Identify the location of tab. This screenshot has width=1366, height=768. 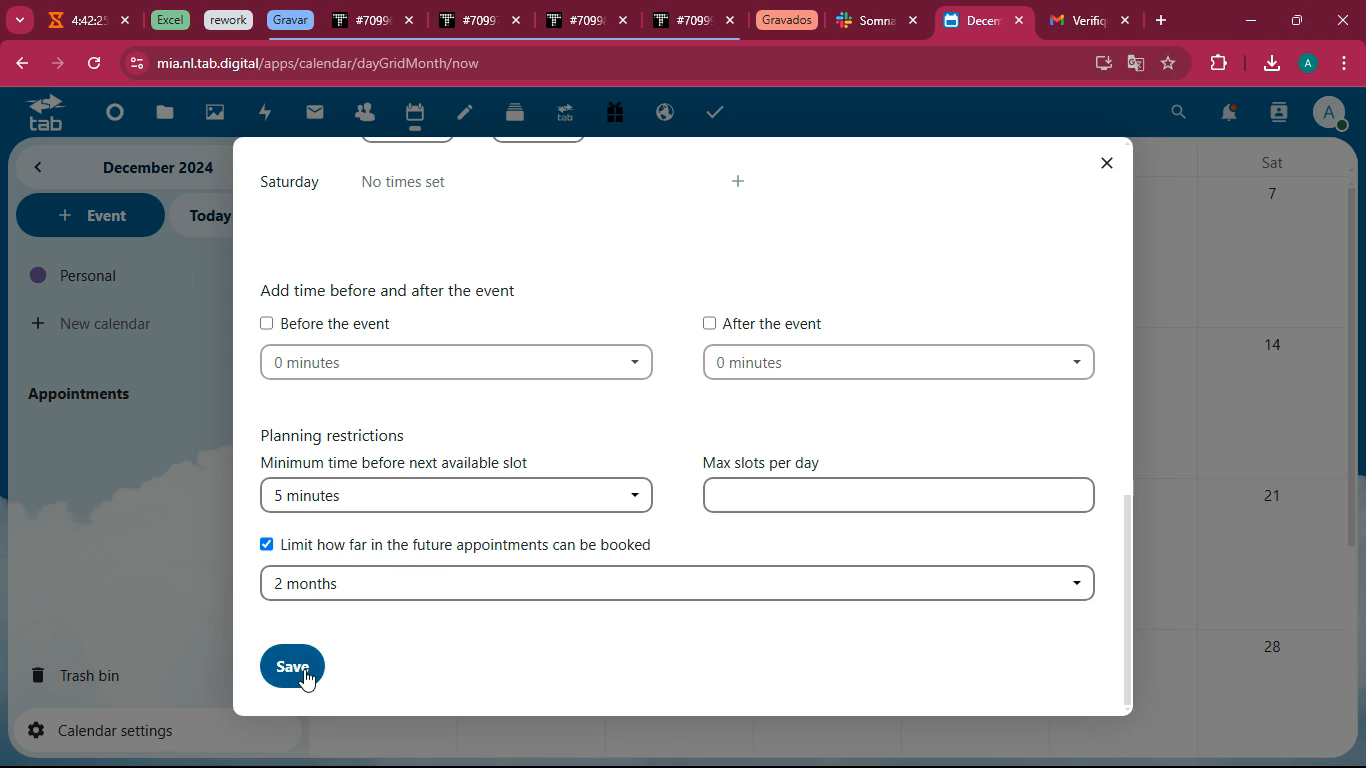
(573, 22).